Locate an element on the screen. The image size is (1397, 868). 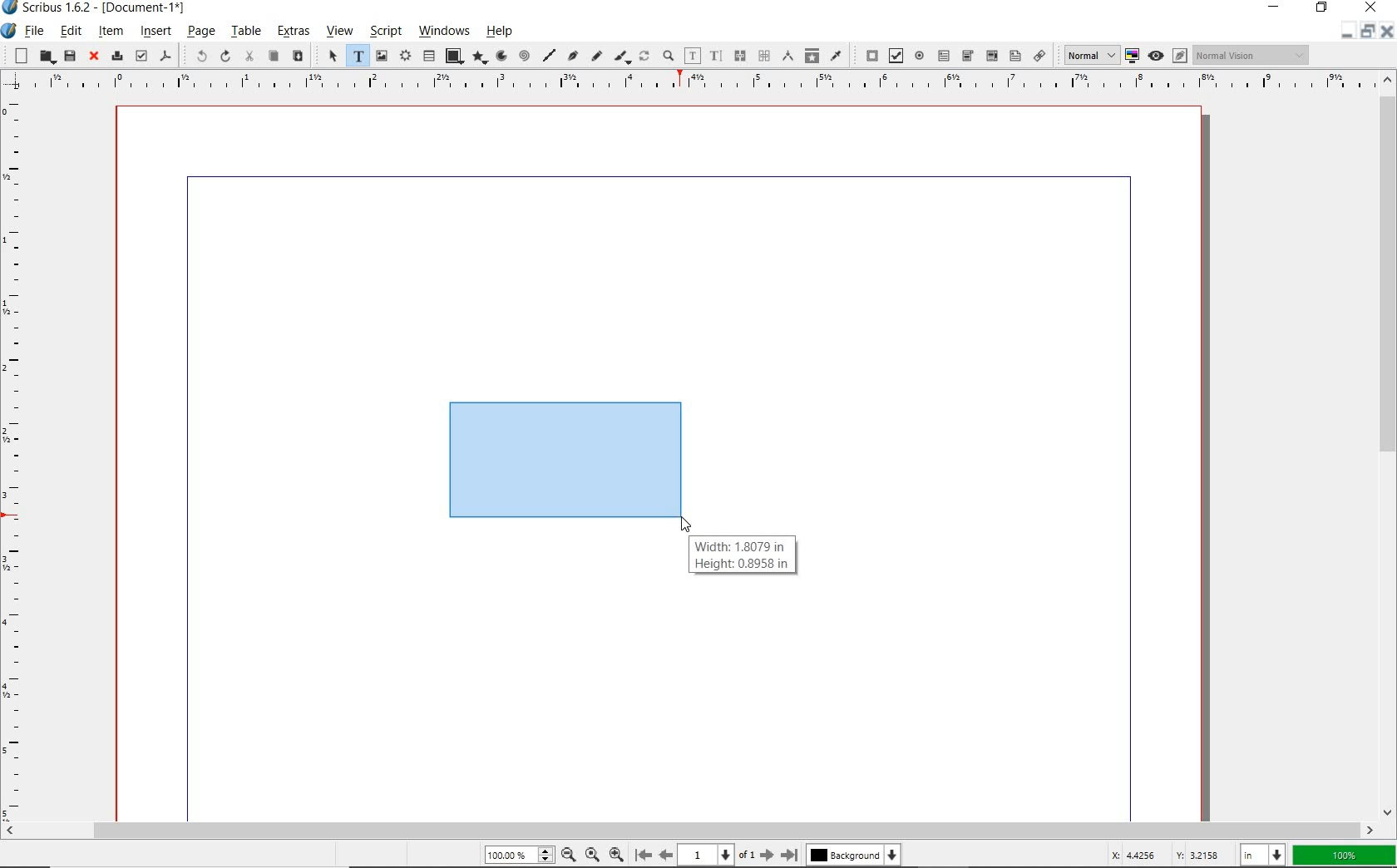
insert is located at coordinates (154, 31).